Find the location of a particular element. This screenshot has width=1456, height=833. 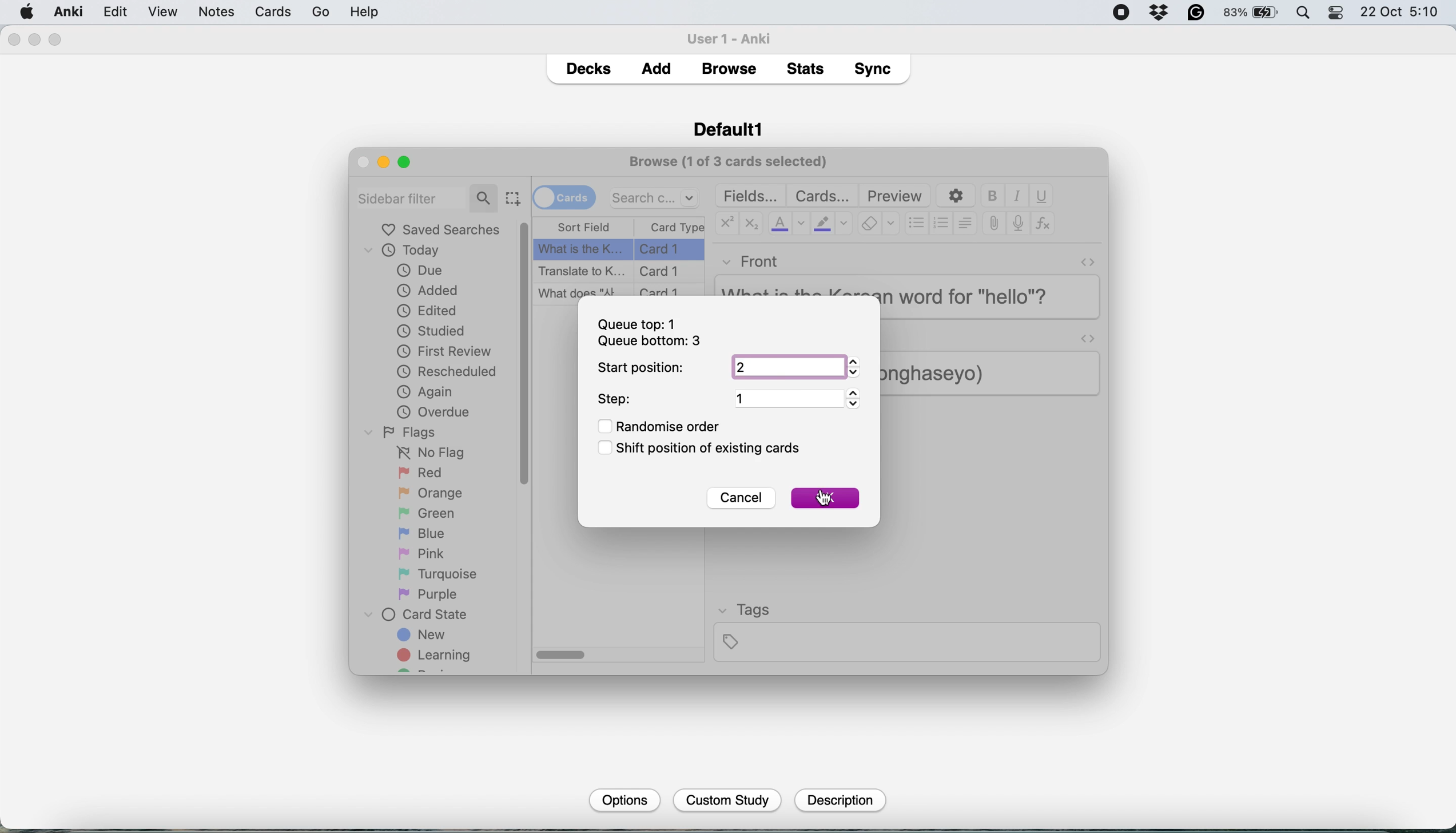

horizontal scroll bar is located at coordinates (562, 656).